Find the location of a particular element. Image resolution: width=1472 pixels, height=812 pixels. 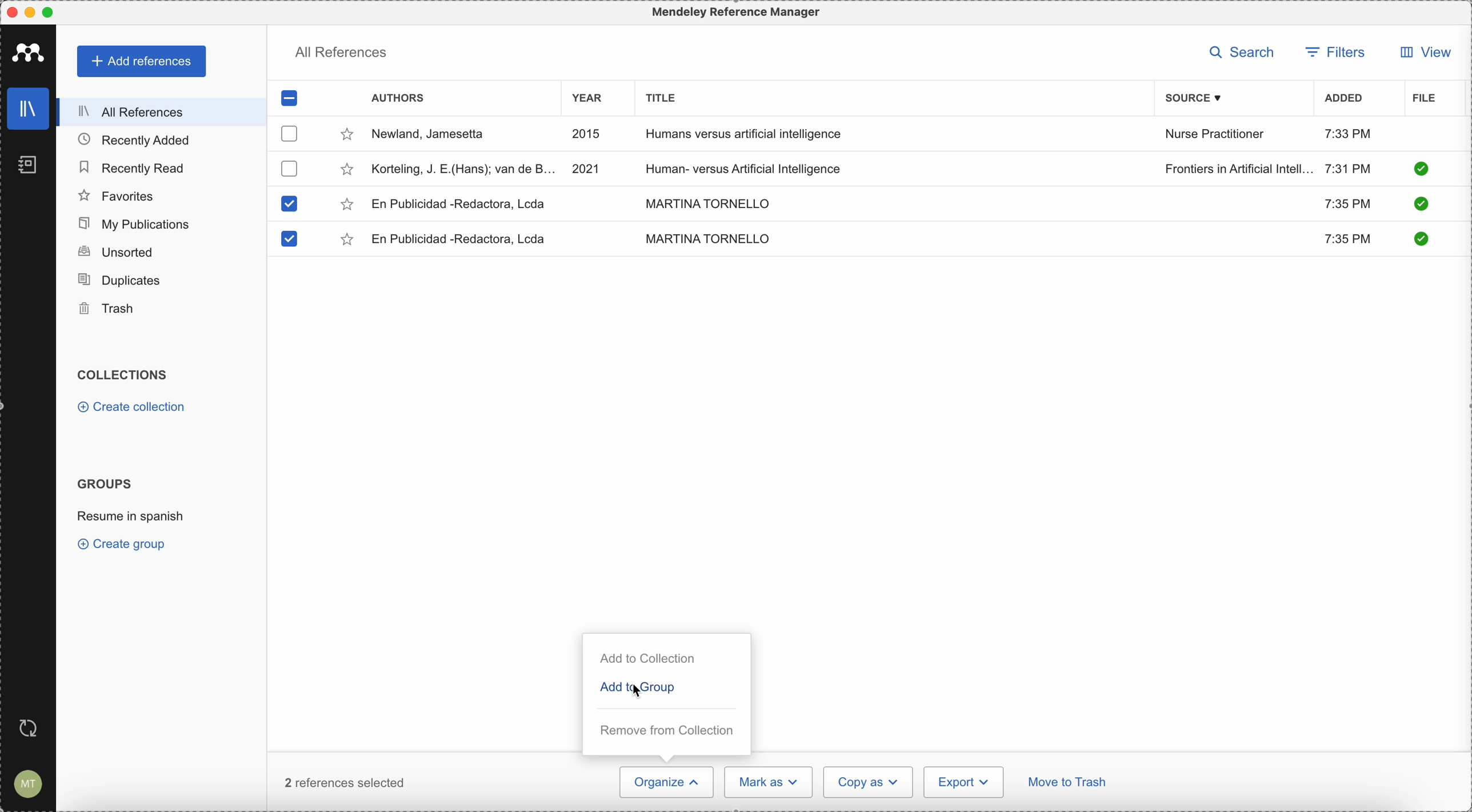

check it is located at coordinates (1419, 205).